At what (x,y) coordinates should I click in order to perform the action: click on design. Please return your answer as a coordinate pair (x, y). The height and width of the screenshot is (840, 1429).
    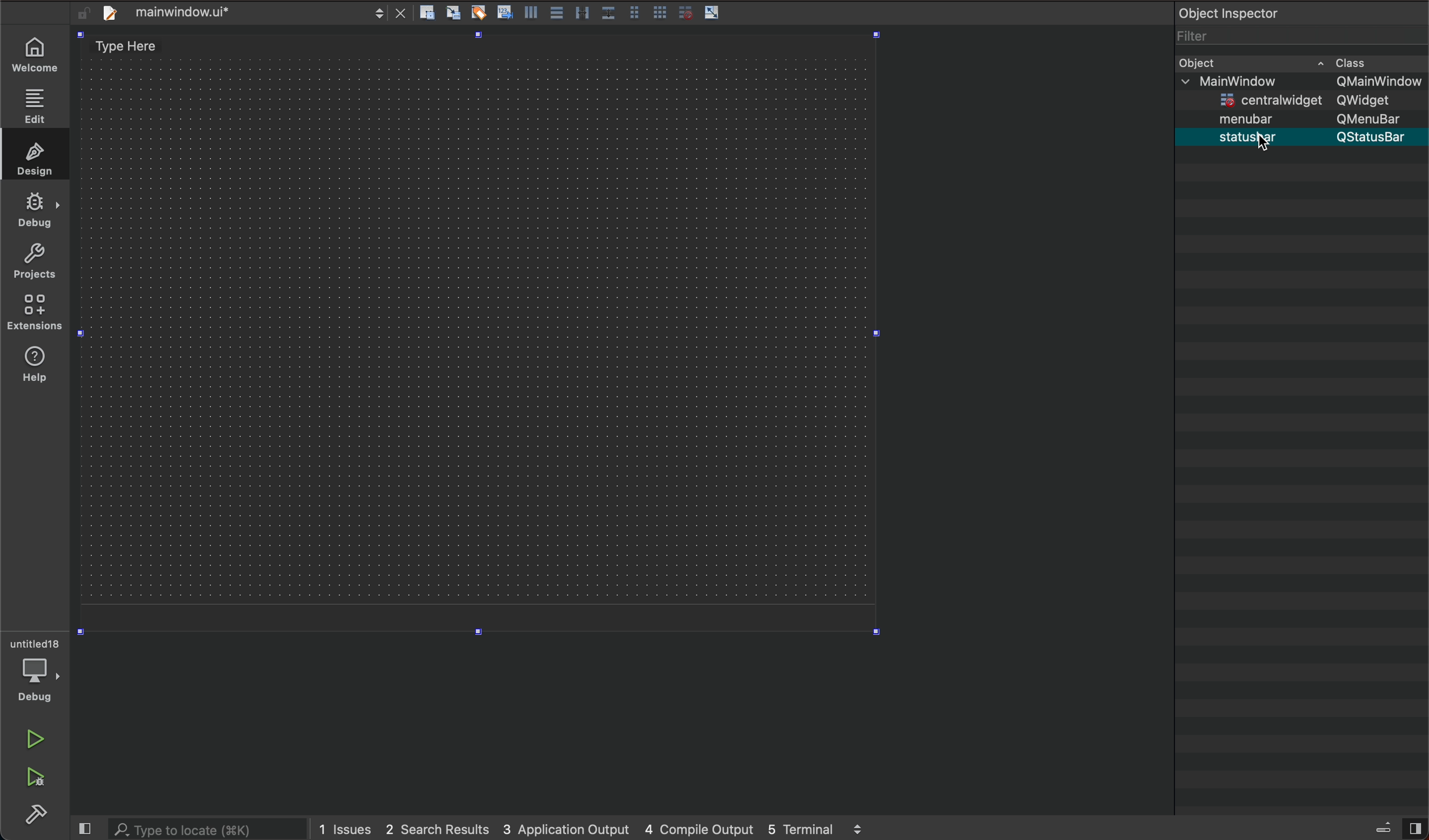
    Looking at the image, I should click on (33, 162).